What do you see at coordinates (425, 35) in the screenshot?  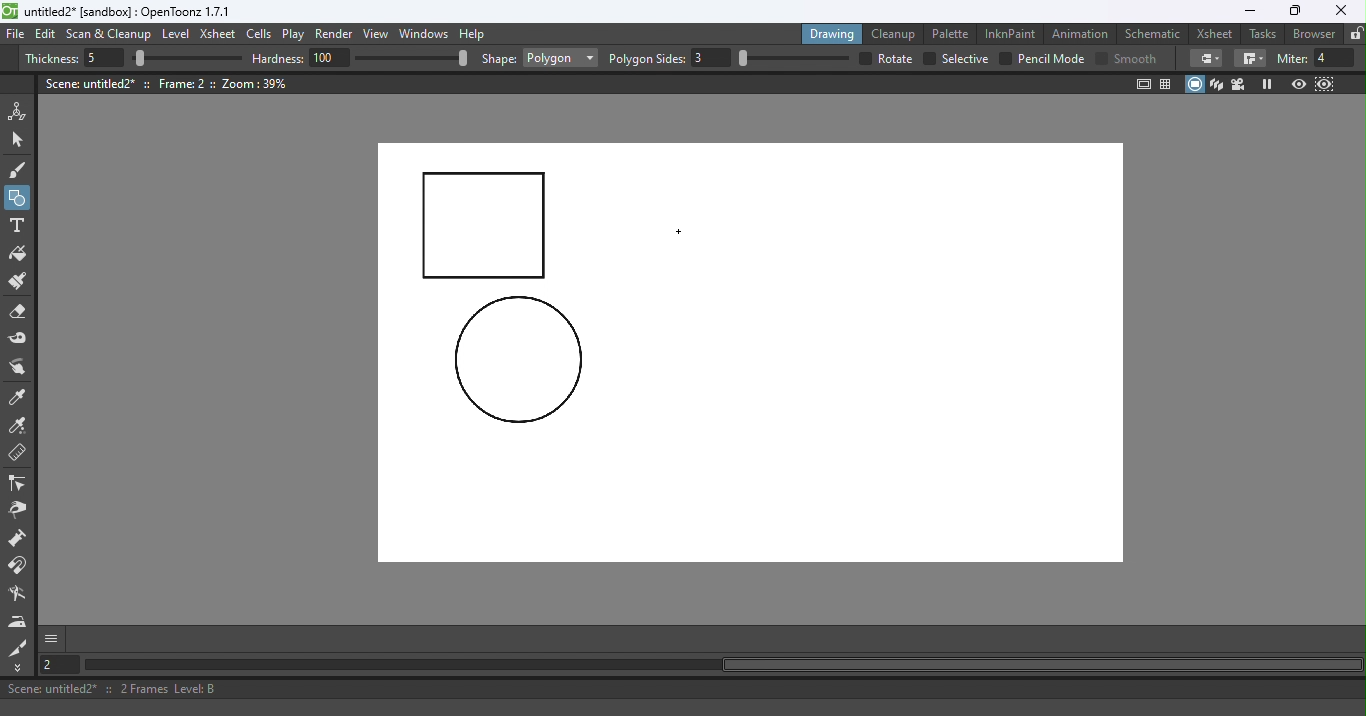 I see `Windows` at bounding box center [425, 35].